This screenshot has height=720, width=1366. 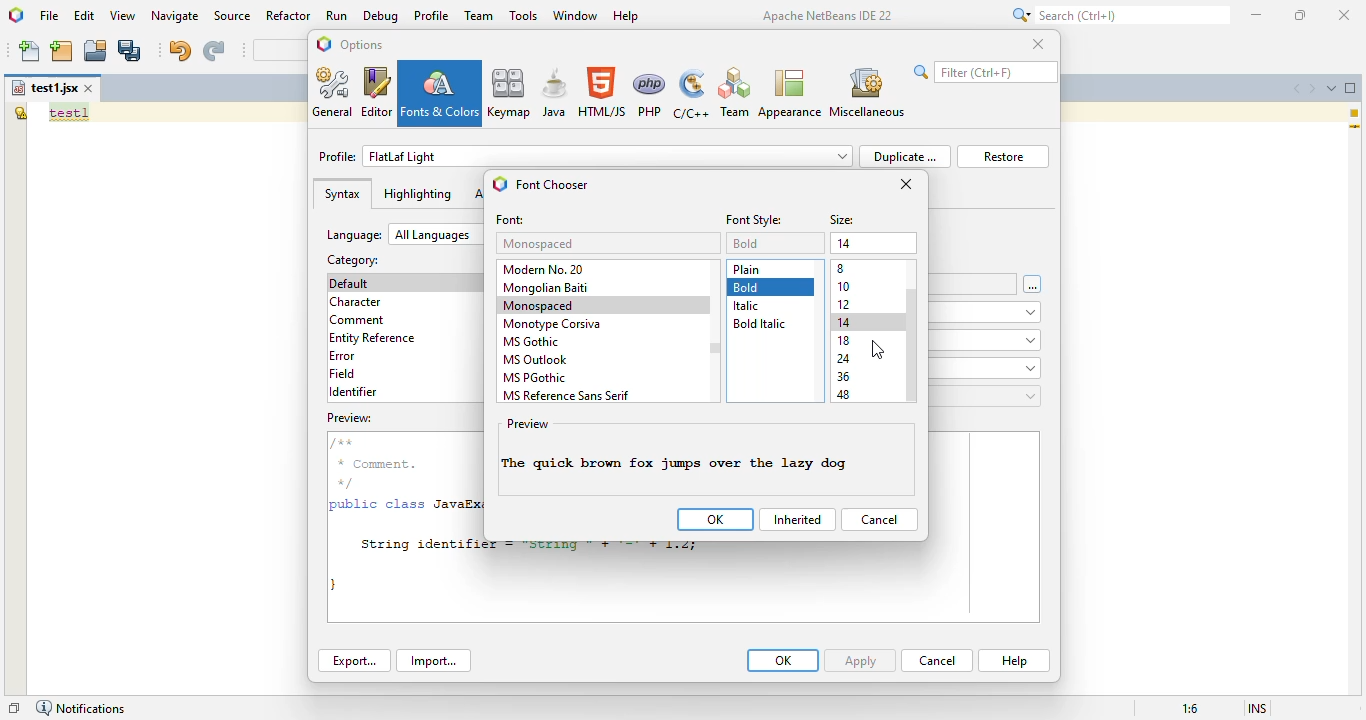 What do you see at coordinates (432, 15) in the screenshot?
I see `profile` at bounding box center [432, 15].